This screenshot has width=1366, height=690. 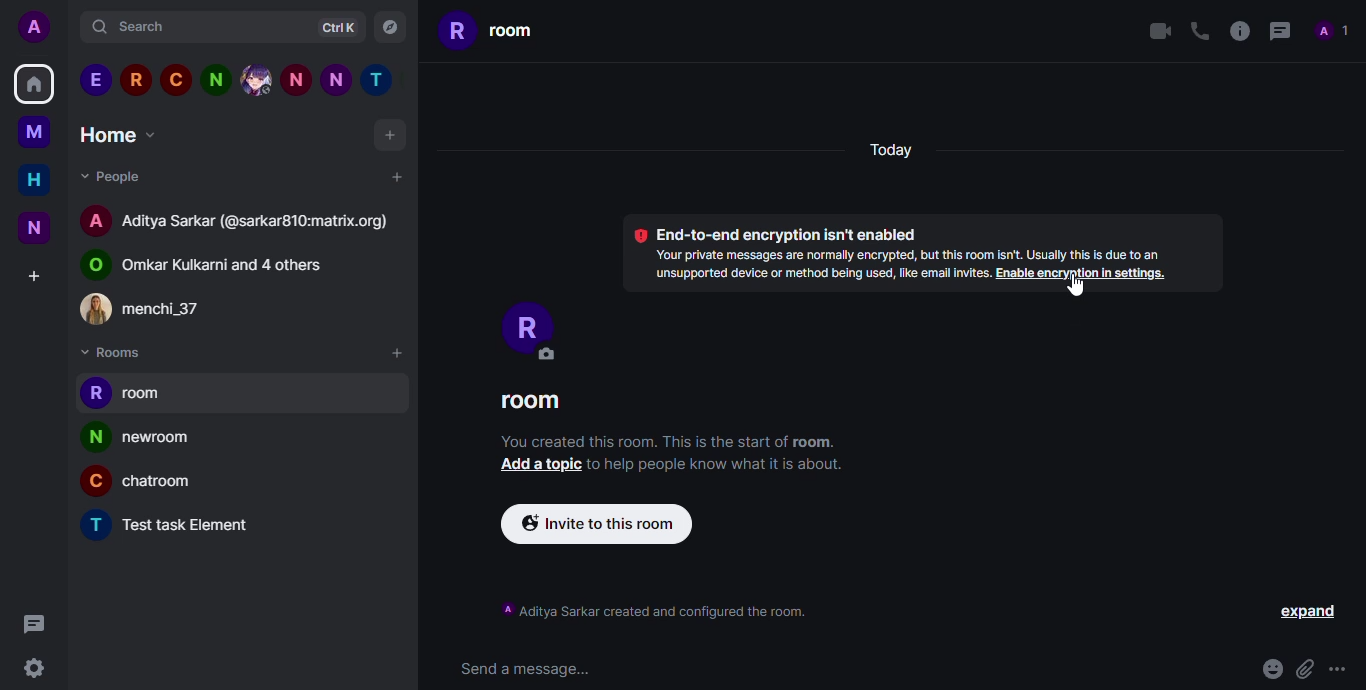 I want to click on settings, so click(x=33, y=670).